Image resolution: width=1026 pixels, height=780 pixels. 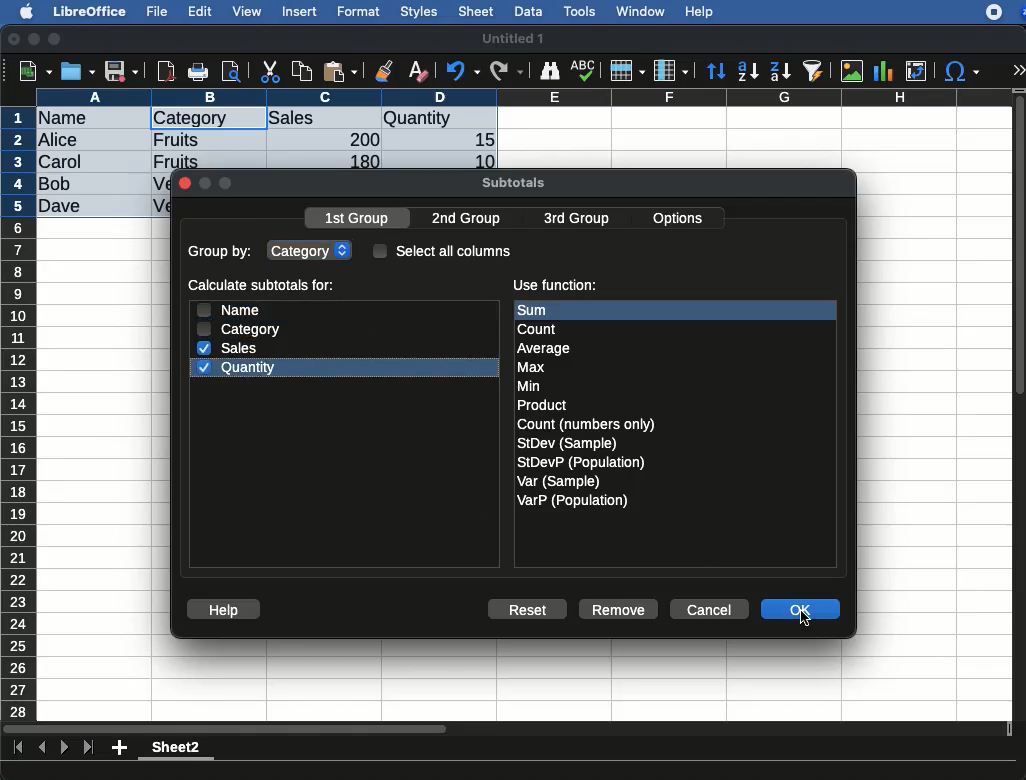 I want to click on subtotals, so click(x=513, y=180).